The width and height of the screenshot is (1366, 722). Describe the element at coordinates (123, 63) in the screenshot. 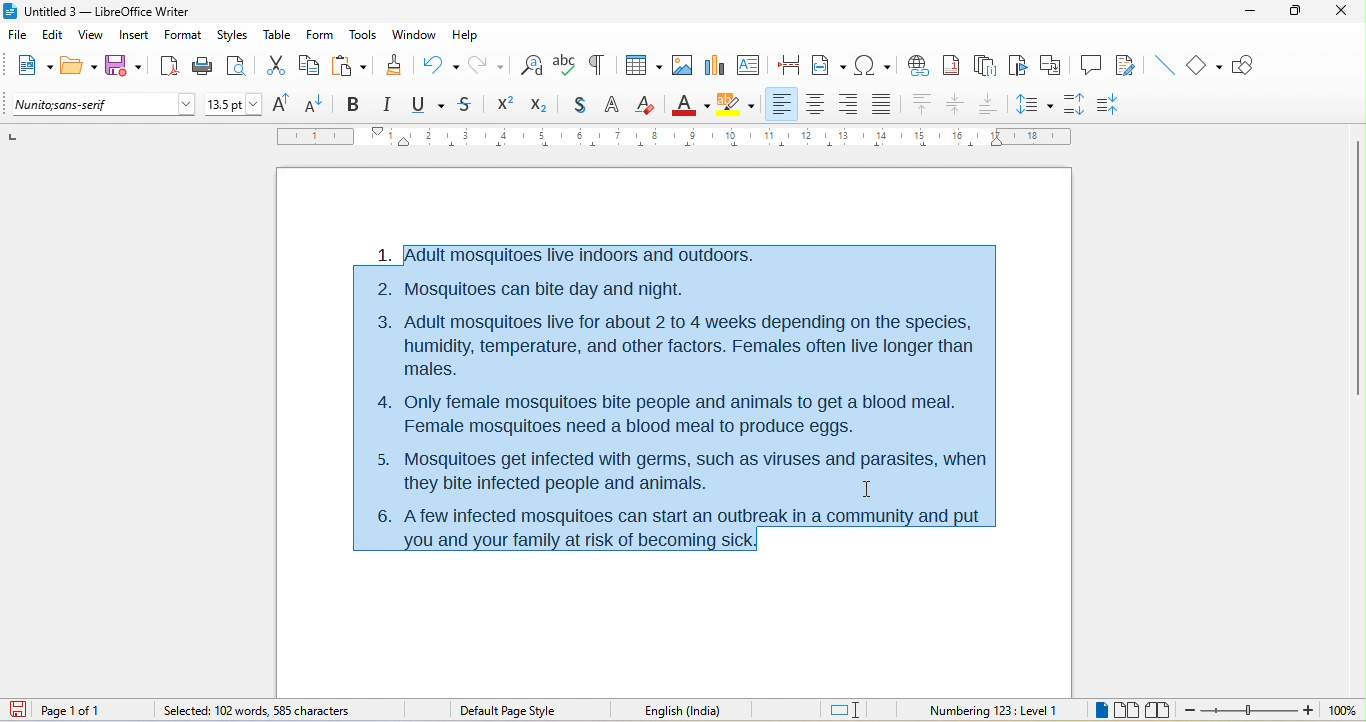

I see `save` at that location.